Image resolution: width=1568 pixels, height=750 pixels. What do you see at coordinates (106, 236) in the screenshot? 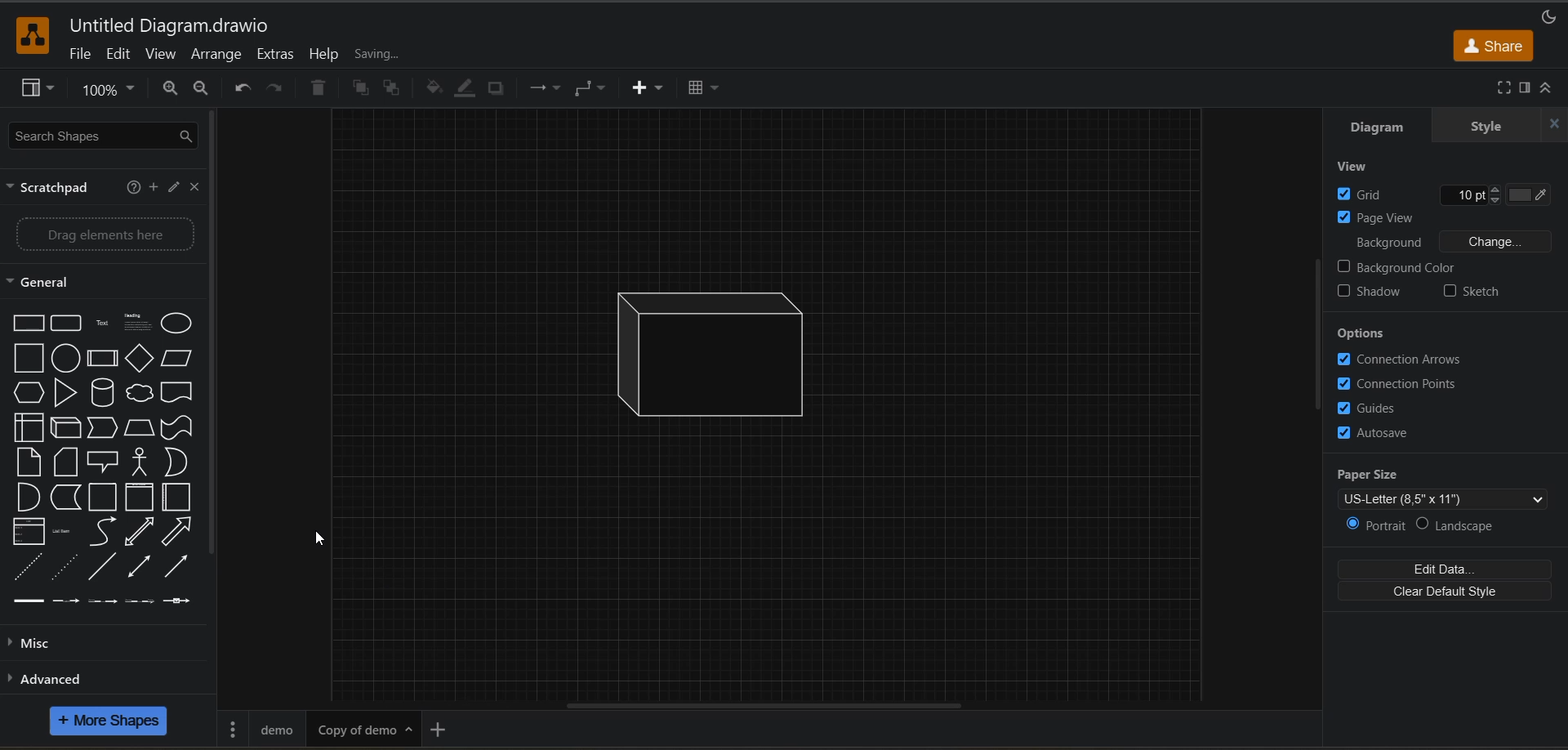
I see `Drag elements here` at bounding box center [106, 236].